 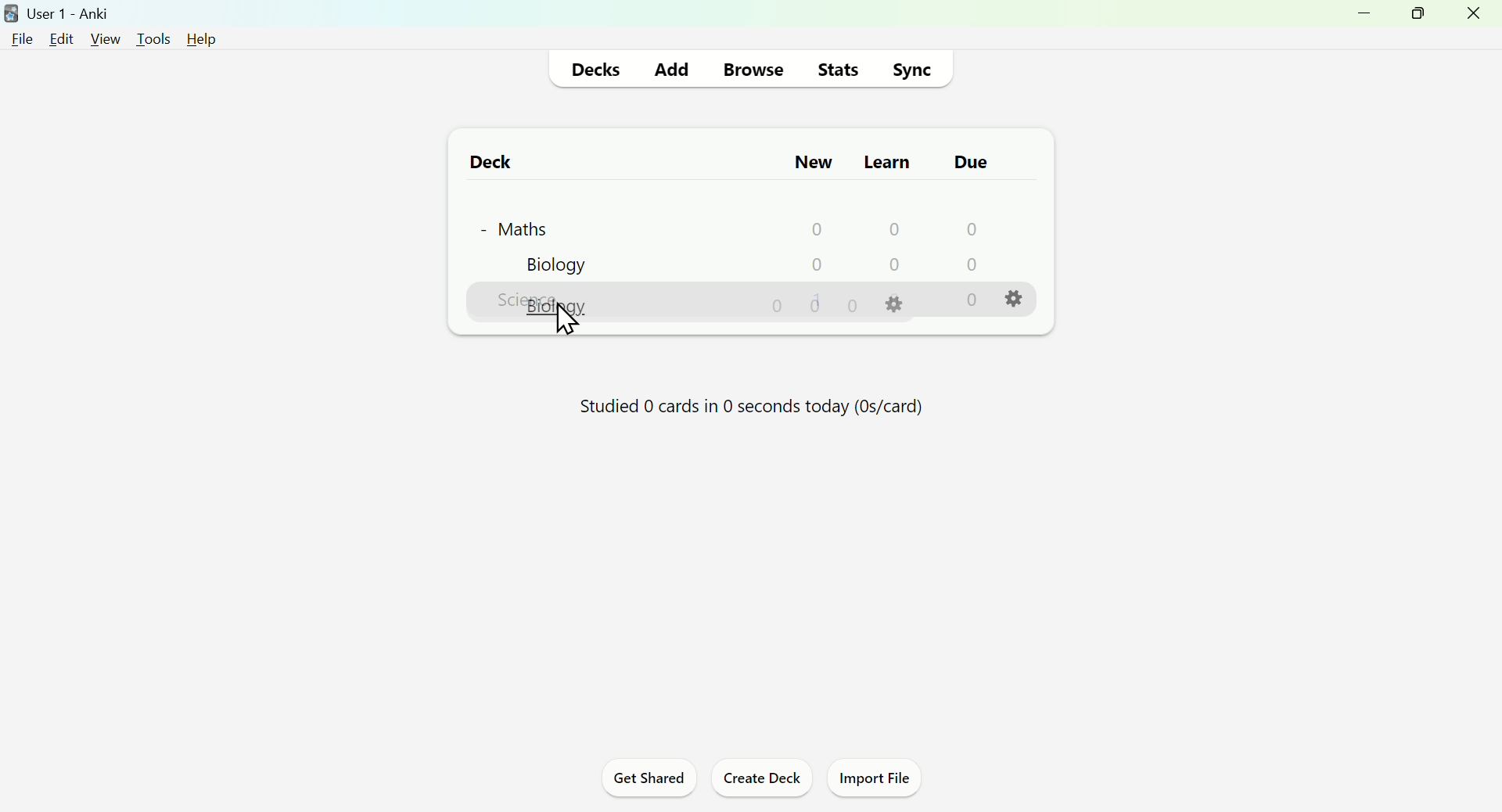 What do you see at coordinates (66, 37) in the screenshot?
I see `Edit` at bounding box center [66, 37].